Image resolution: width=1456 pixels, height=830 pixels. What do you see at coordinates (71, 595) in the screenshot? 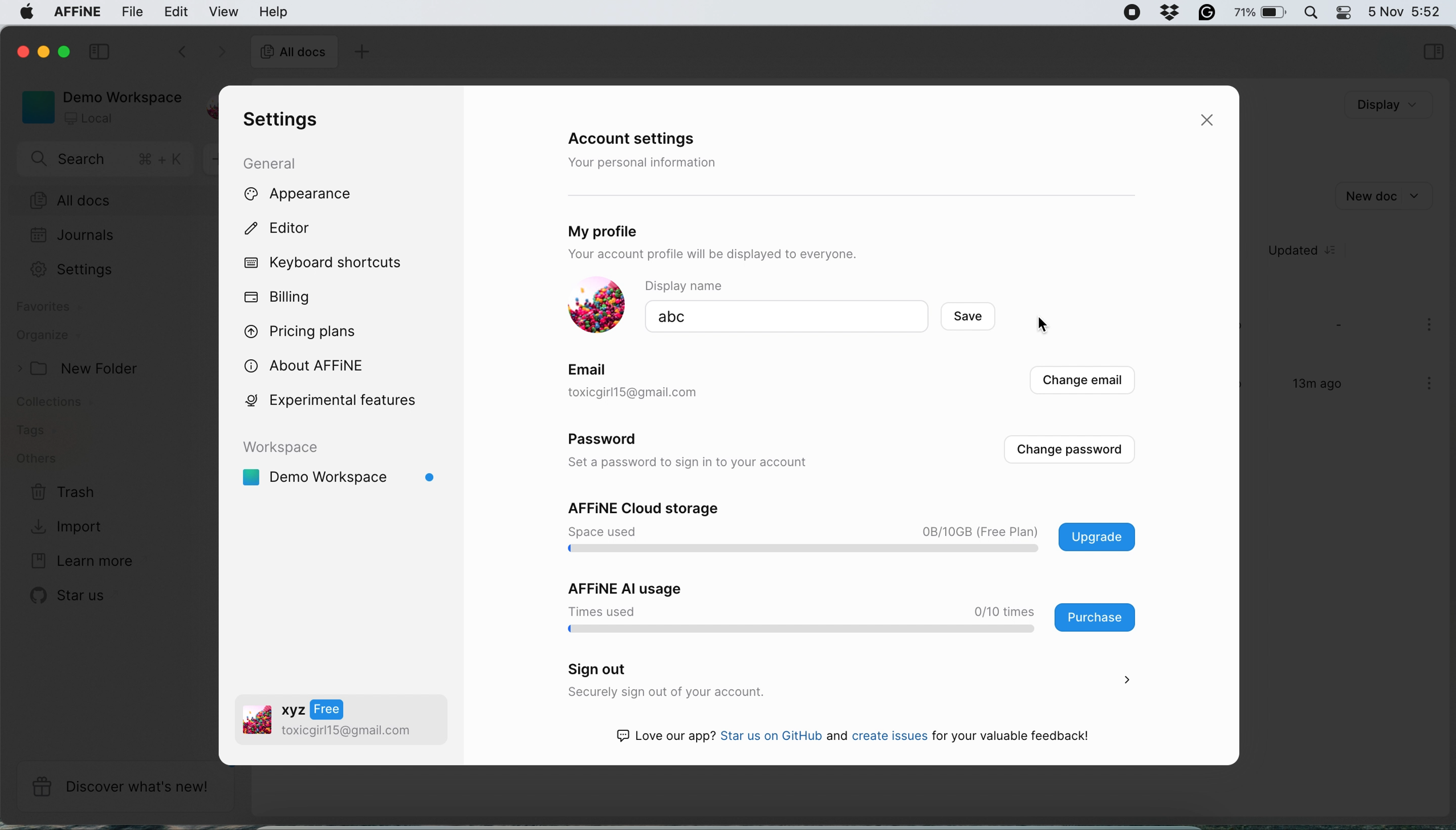
I see `star us` at bounding box center [71, 595].